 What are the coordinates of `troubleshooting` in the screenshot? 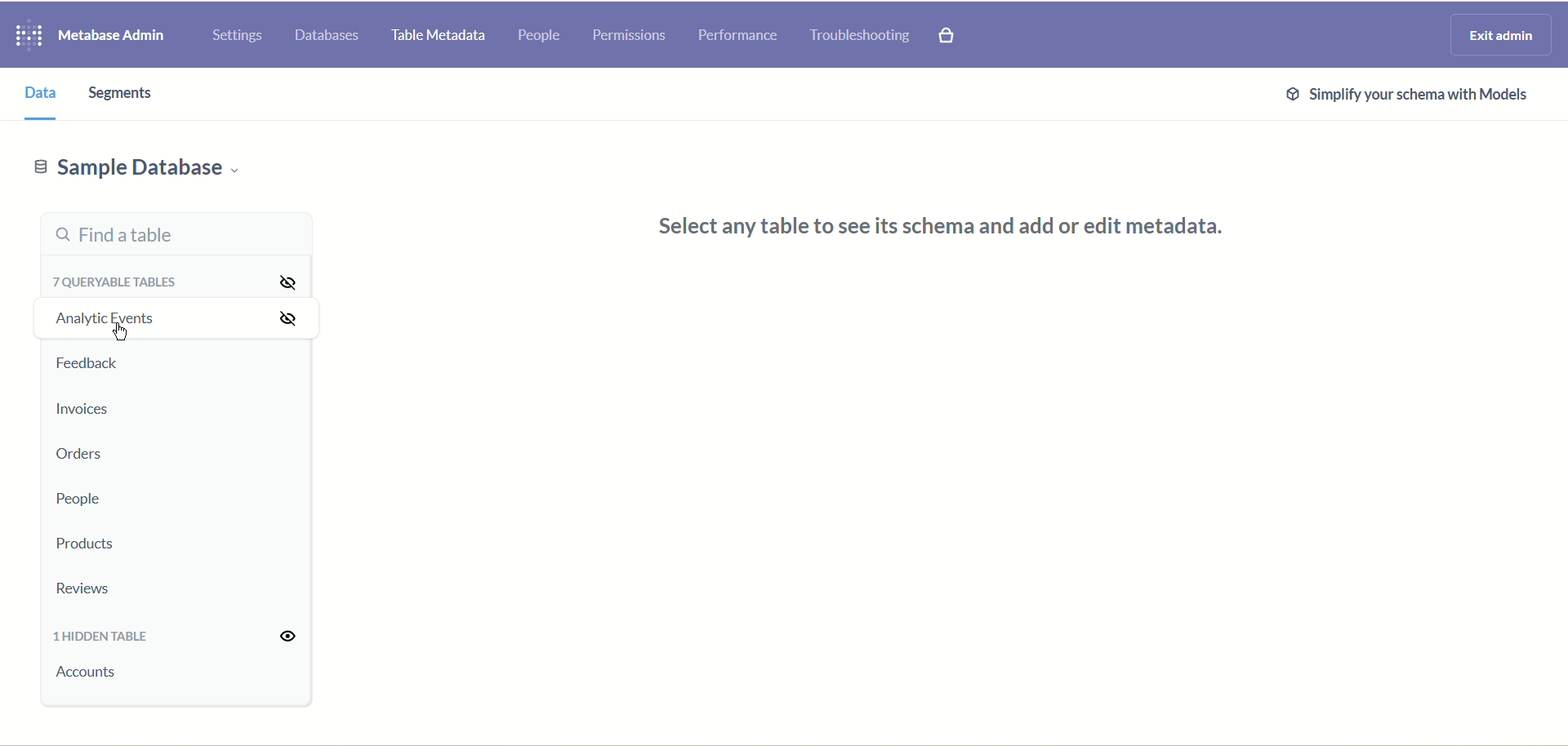 It's located at (860, 35).